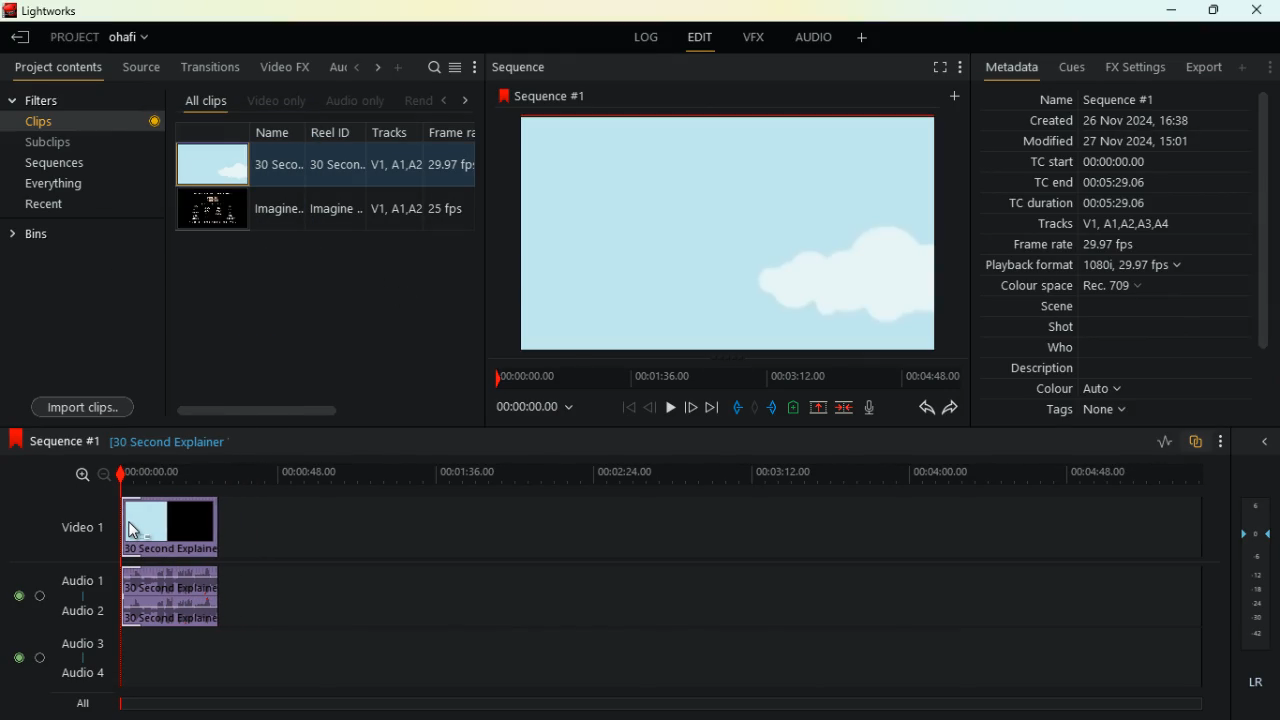  What do you see at coordinates (54, 183) in the screenshot?
I see `everything` at bounding box center [54, 183].